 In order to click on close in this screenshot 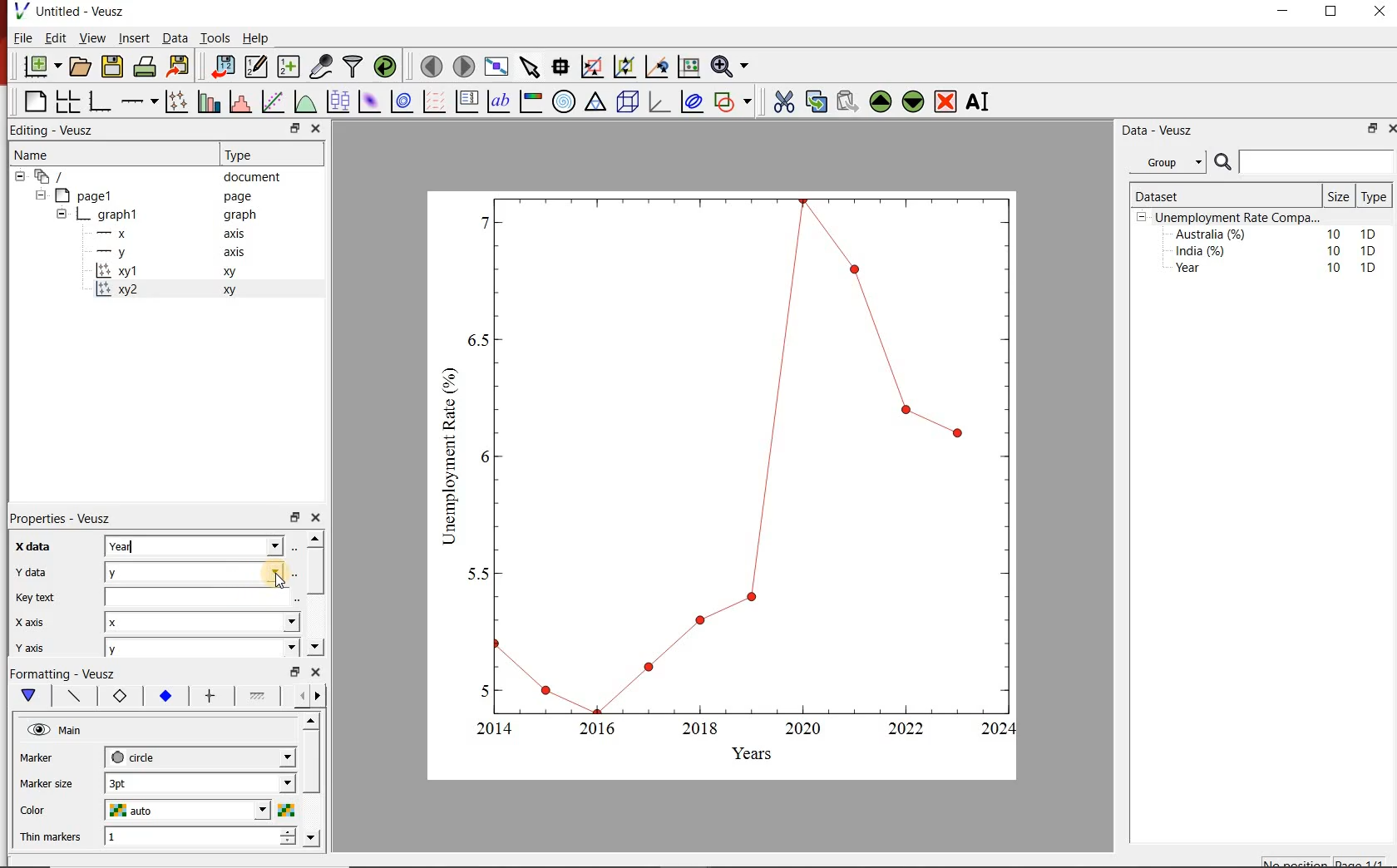, I will do `click(317, 672)`.